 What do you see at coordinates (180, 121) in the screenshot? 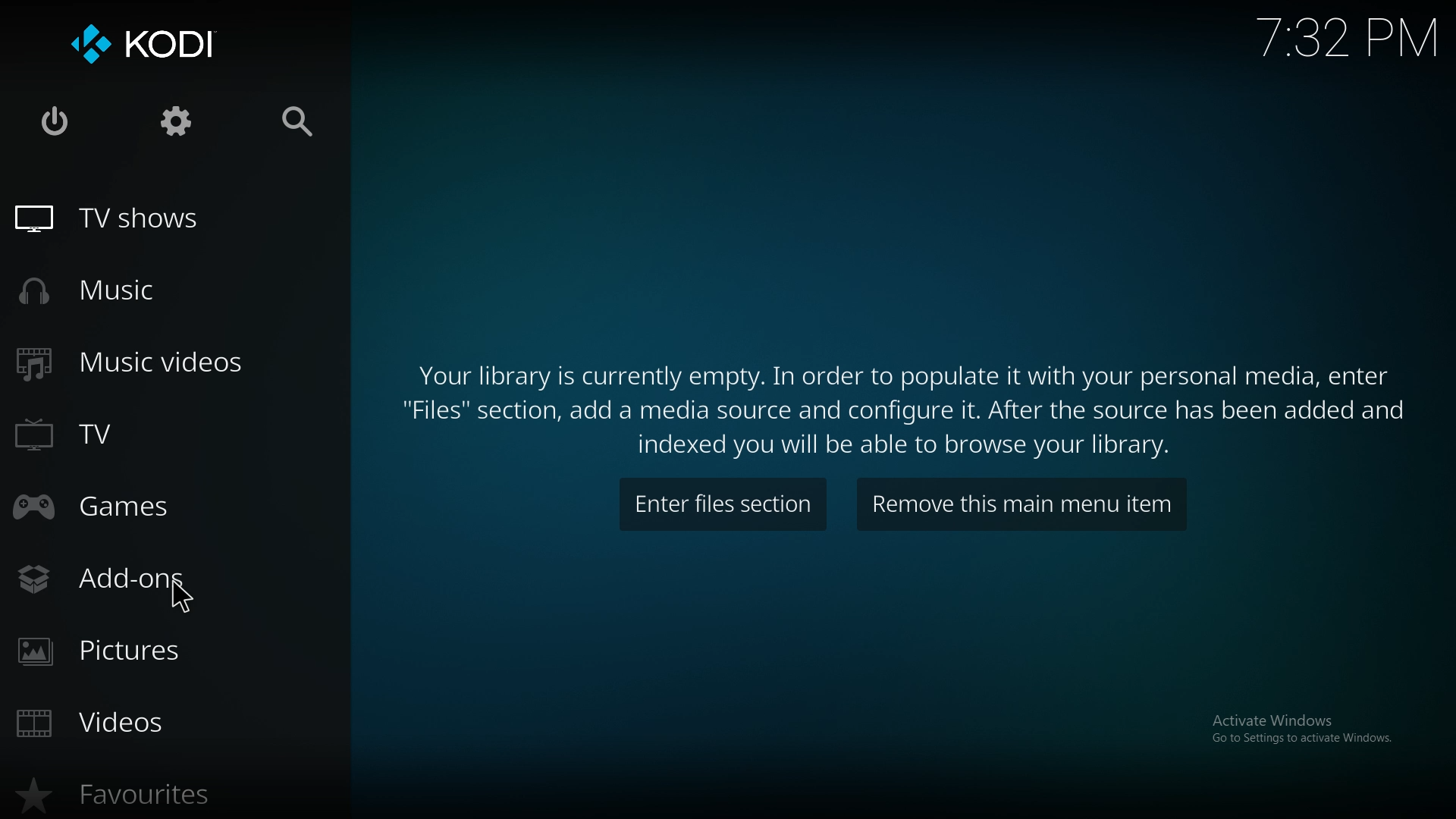
I see `settings` at bounding box center [180, 121].